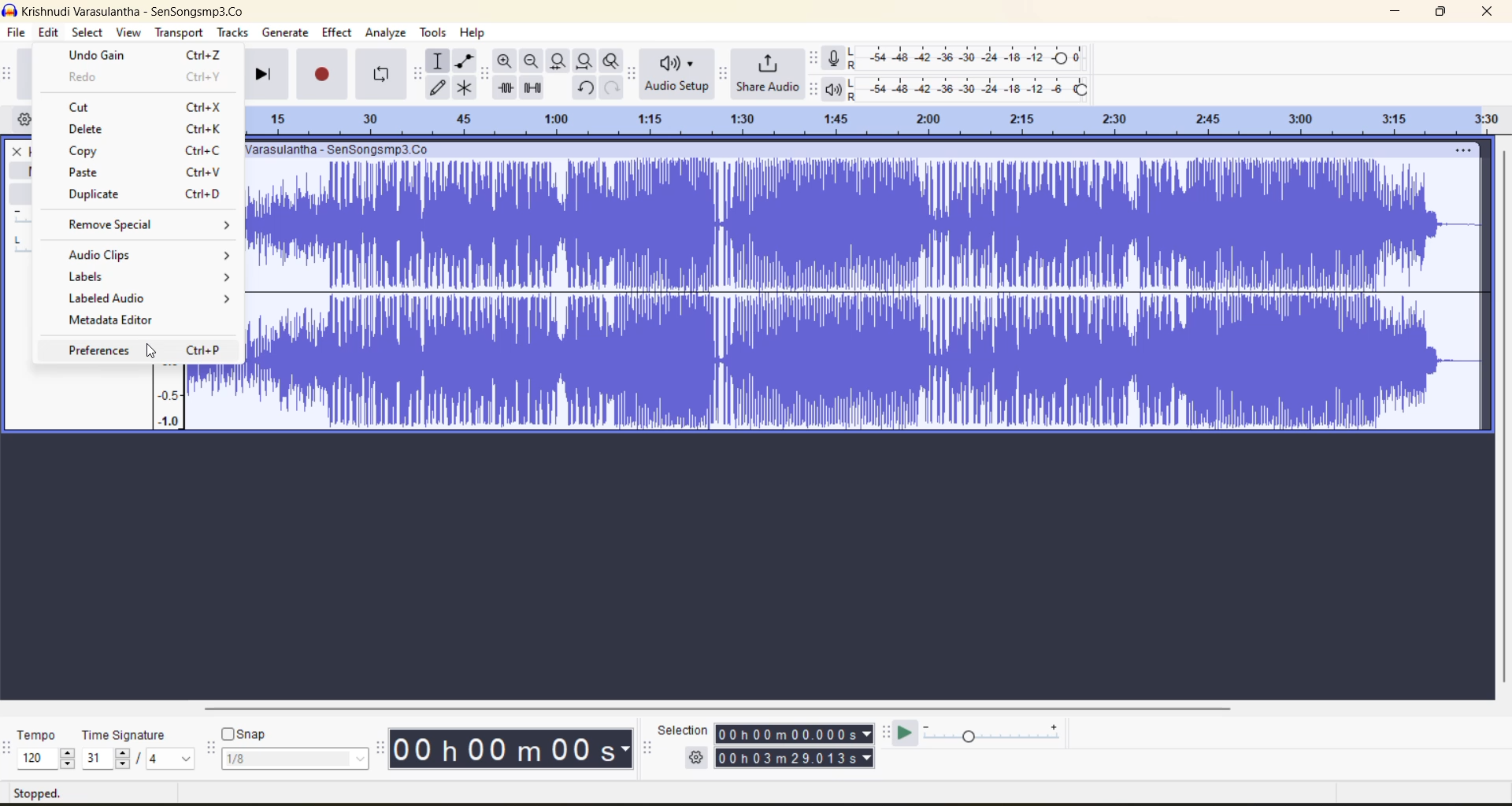  I want to click on Scale, so click(865, 117).